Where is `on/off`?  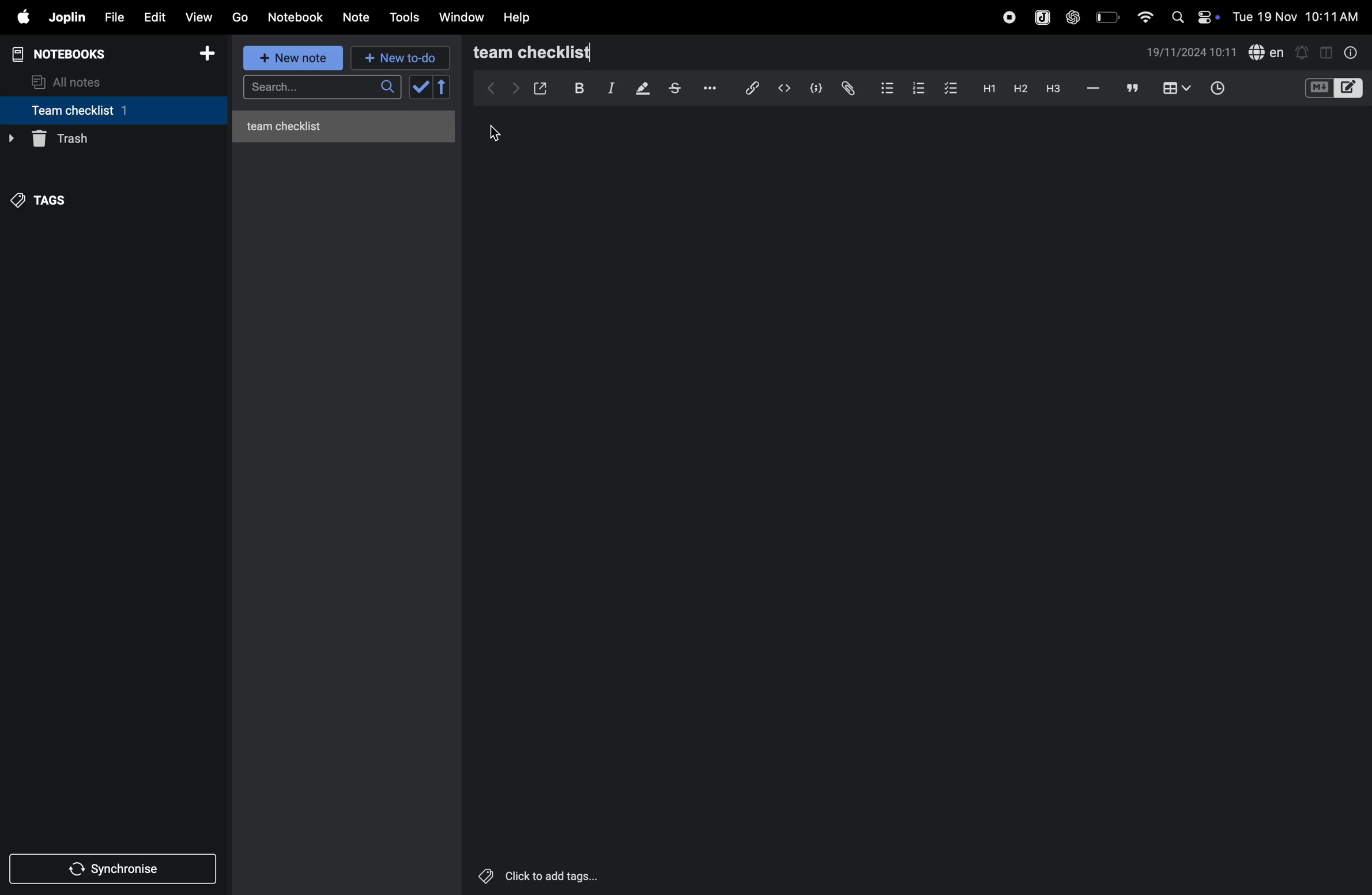
on/off is located at coordinates (1211, 17).